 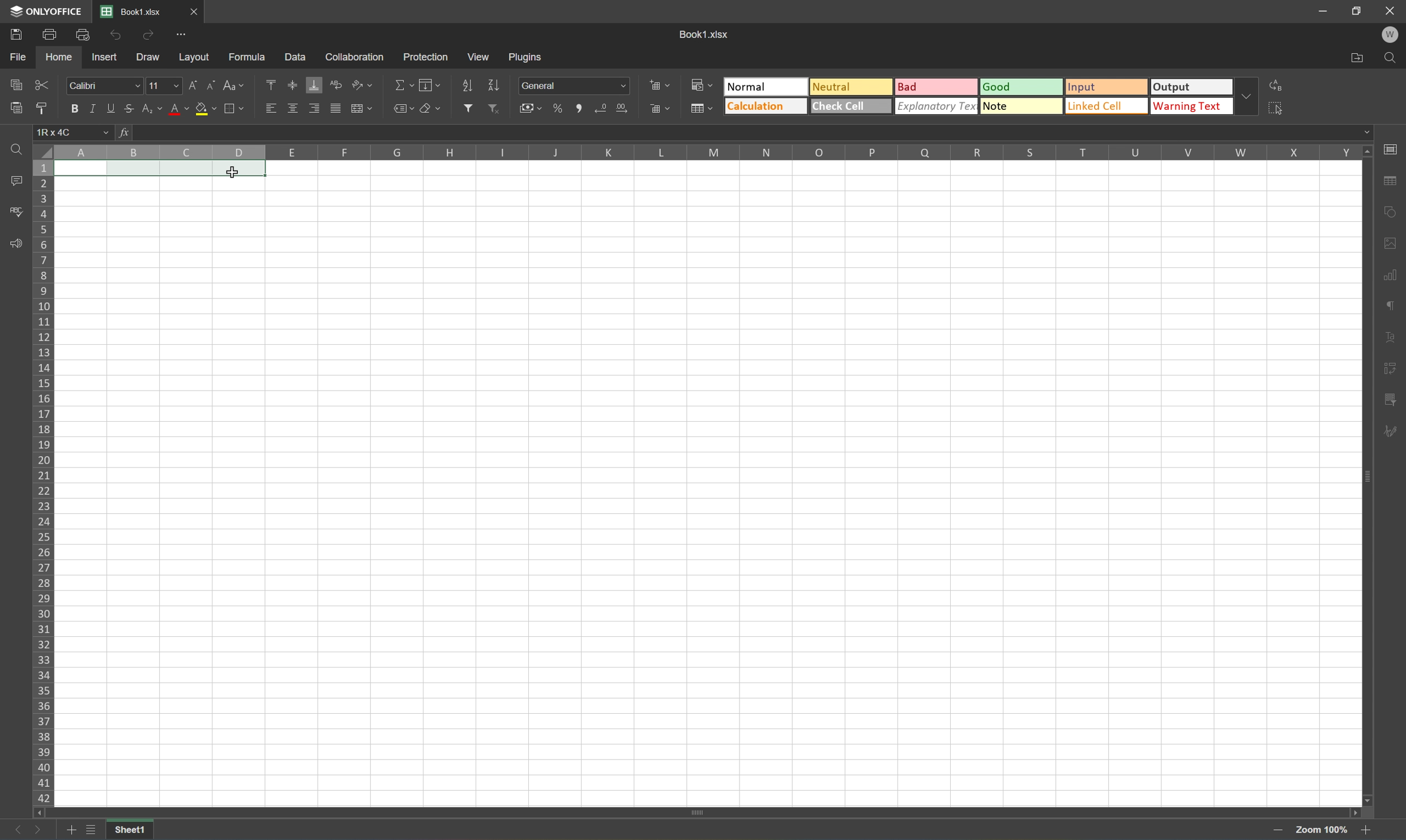 I want to click on Paste, so click(x=13, y=108).